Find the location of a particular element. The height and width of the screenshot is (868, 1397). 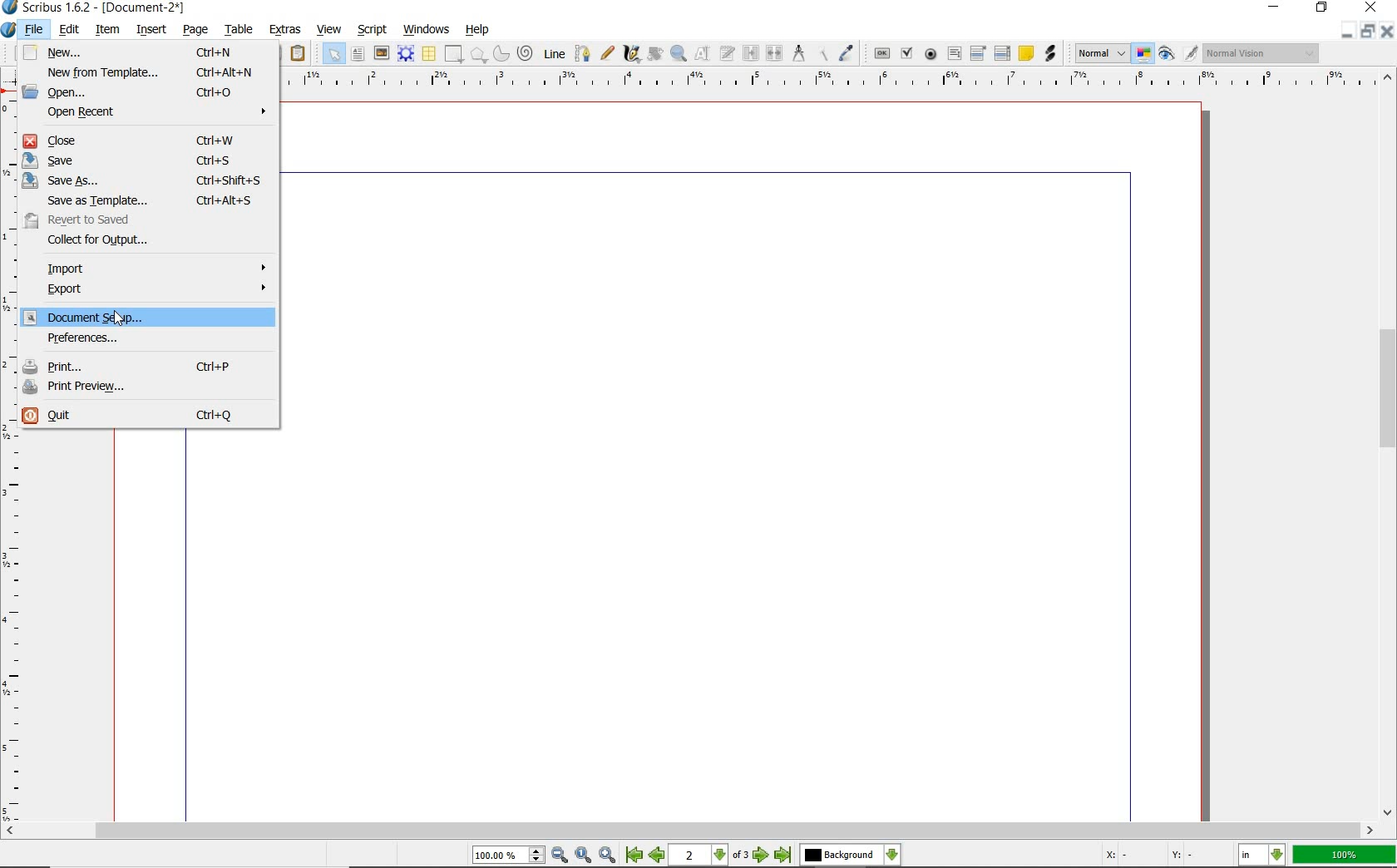

edit is located at coordinates (68, 29).